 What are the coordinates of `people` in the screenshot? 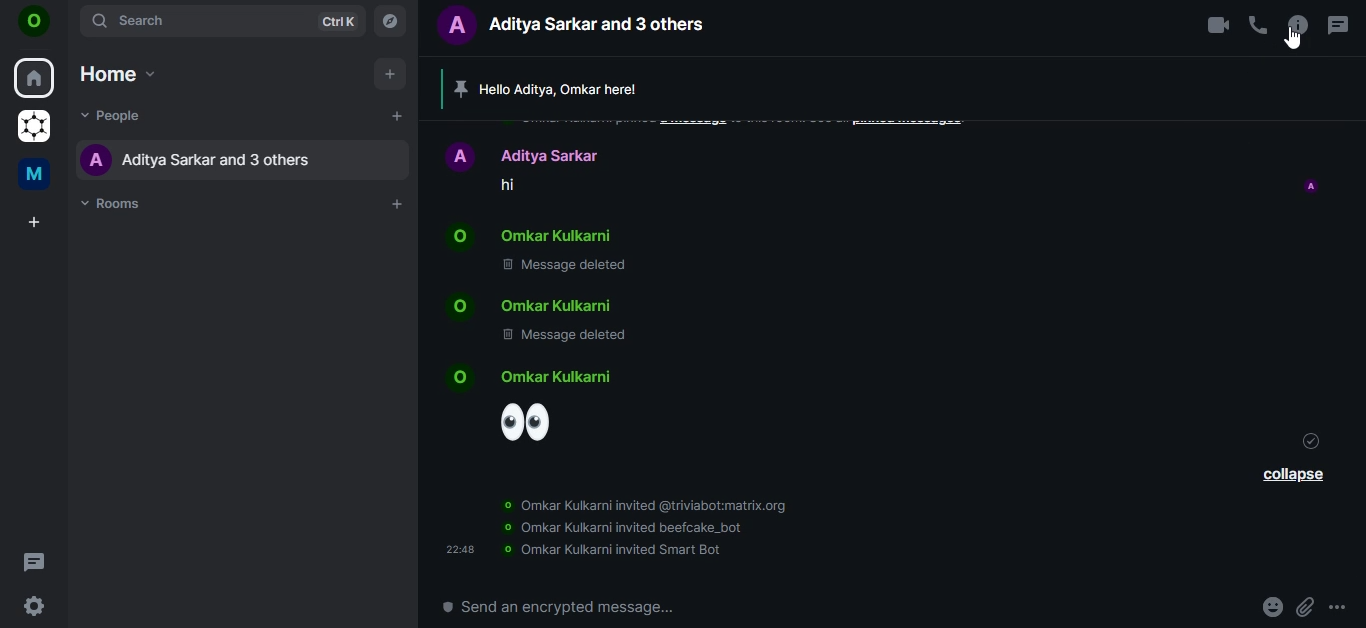 It's located at (113, 117).